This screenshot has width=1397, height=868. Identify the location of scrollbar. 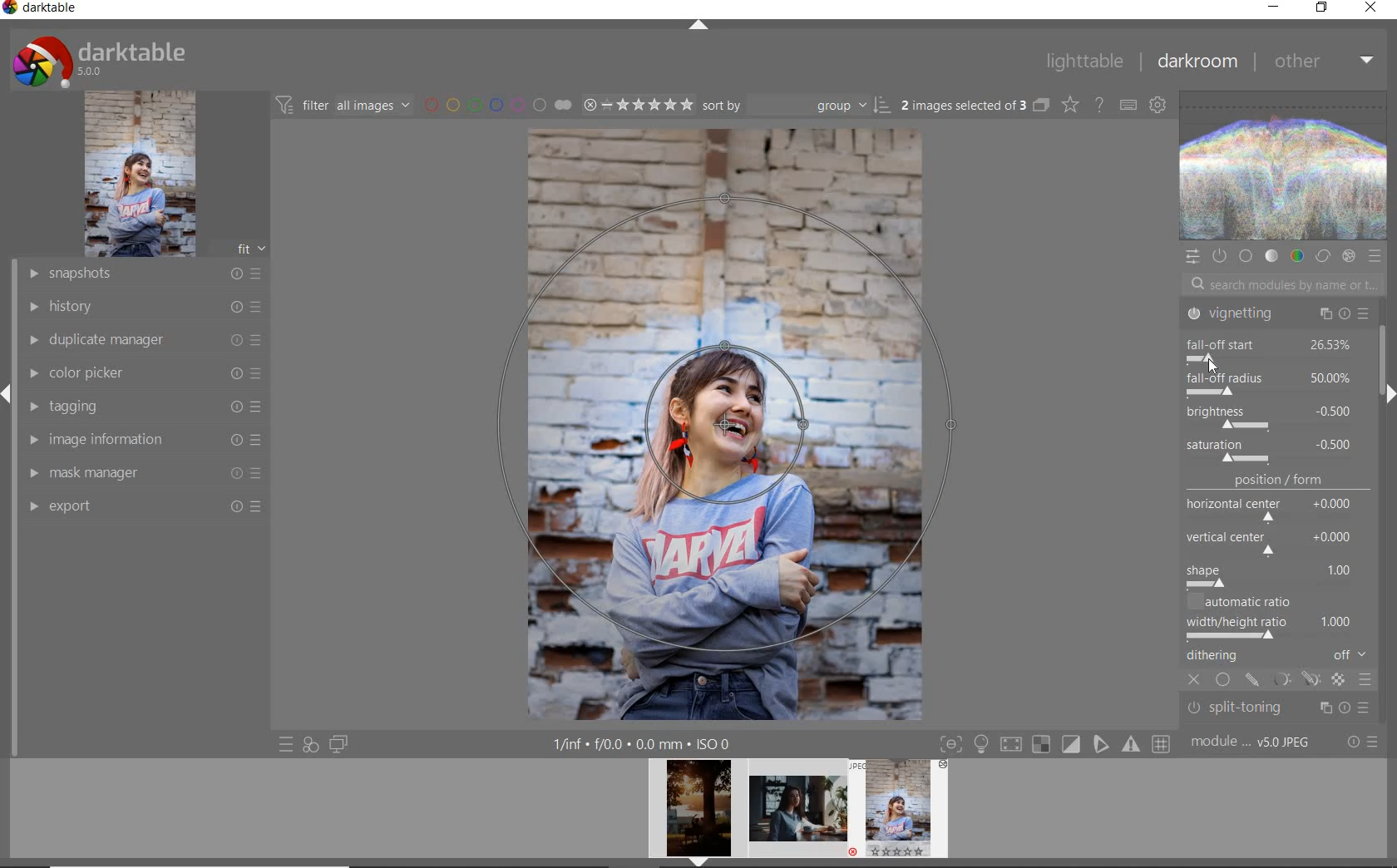
(1388, 353).